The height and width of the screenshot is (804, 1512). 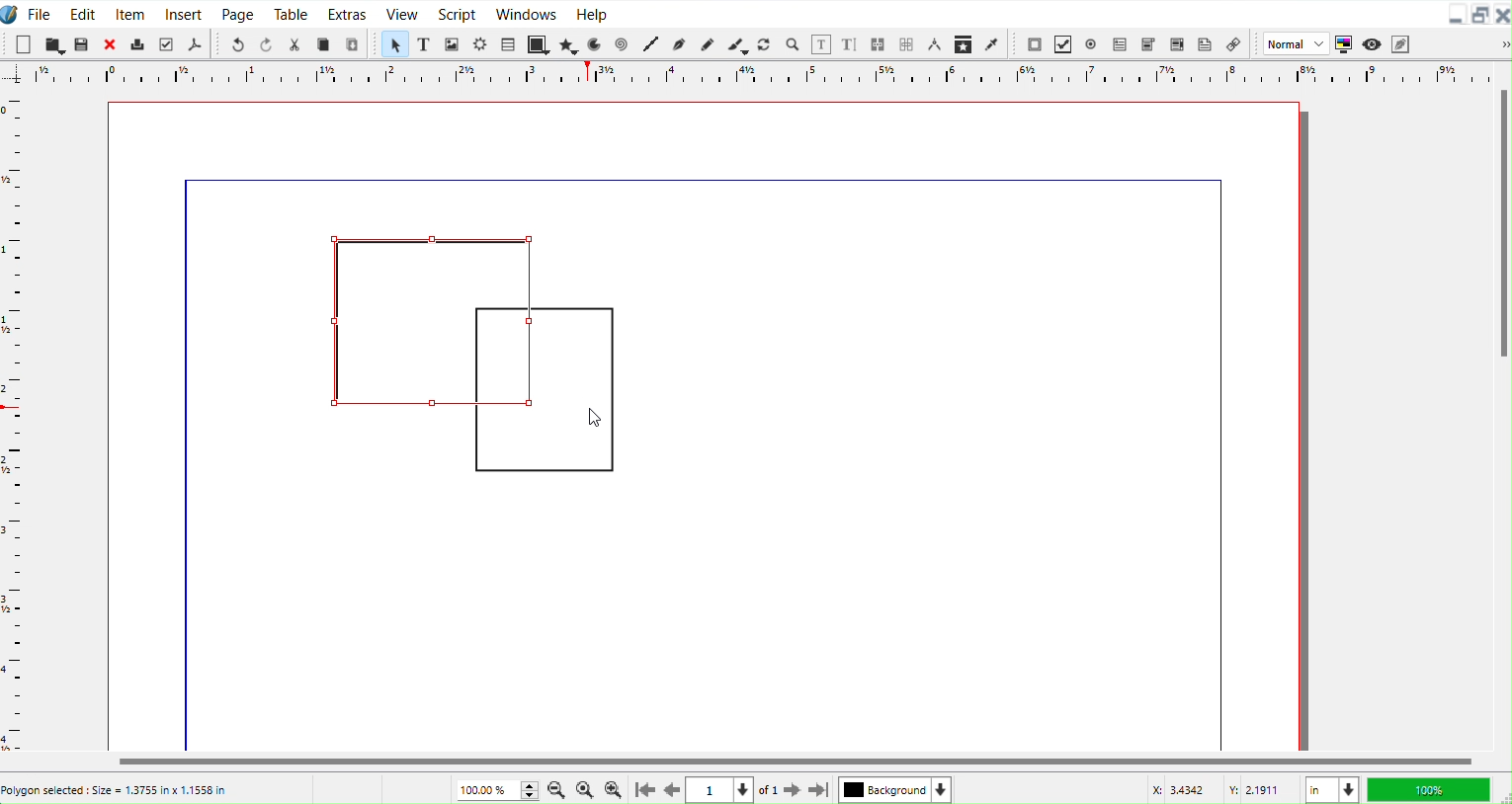 I want to click on Drop down box, so click(x=1496, y=43).